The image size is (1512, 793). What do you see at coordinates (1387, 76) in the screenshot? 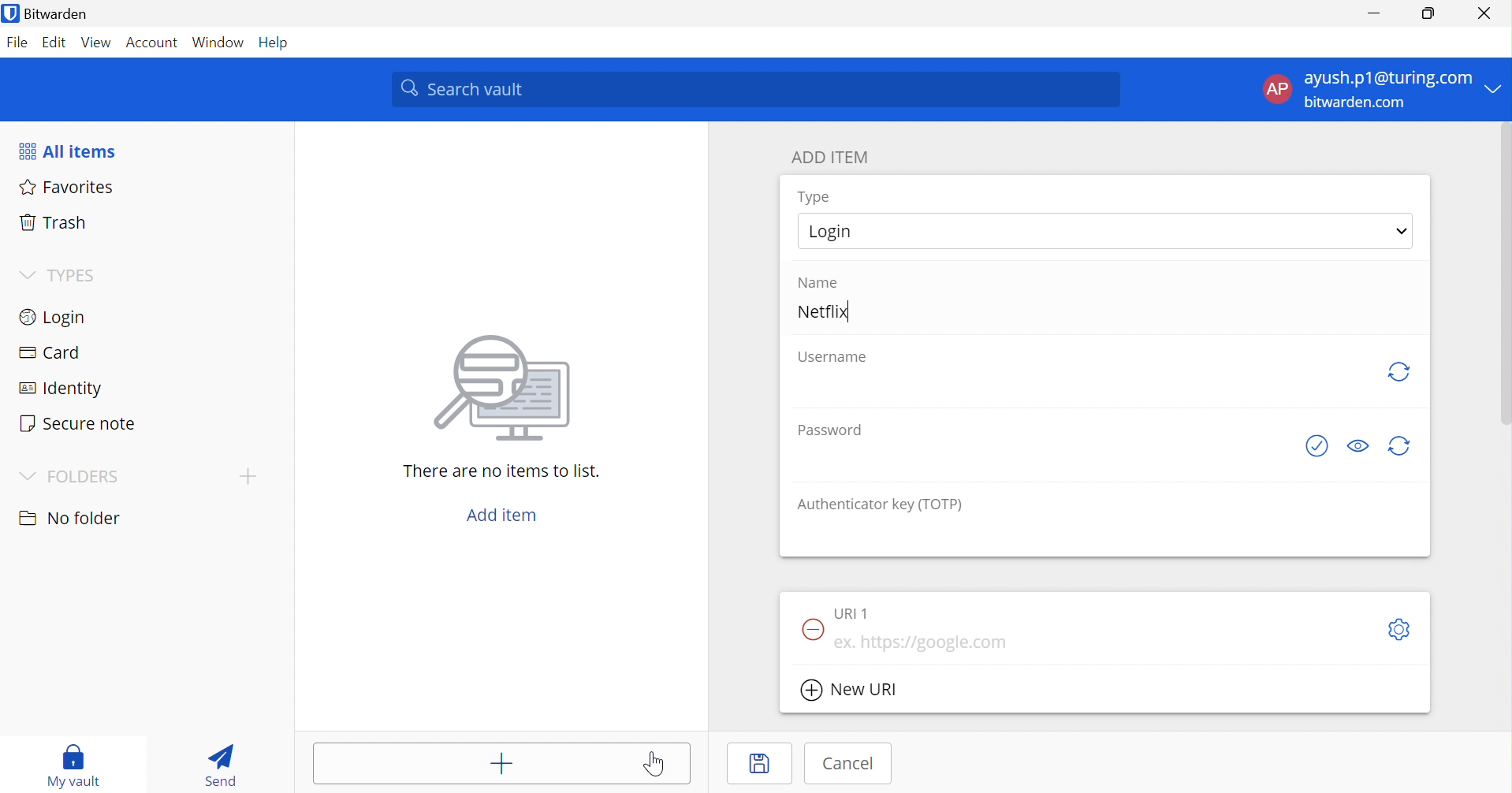
I see `ayush.p1@turing.com` at bounding box center [1387, 76].